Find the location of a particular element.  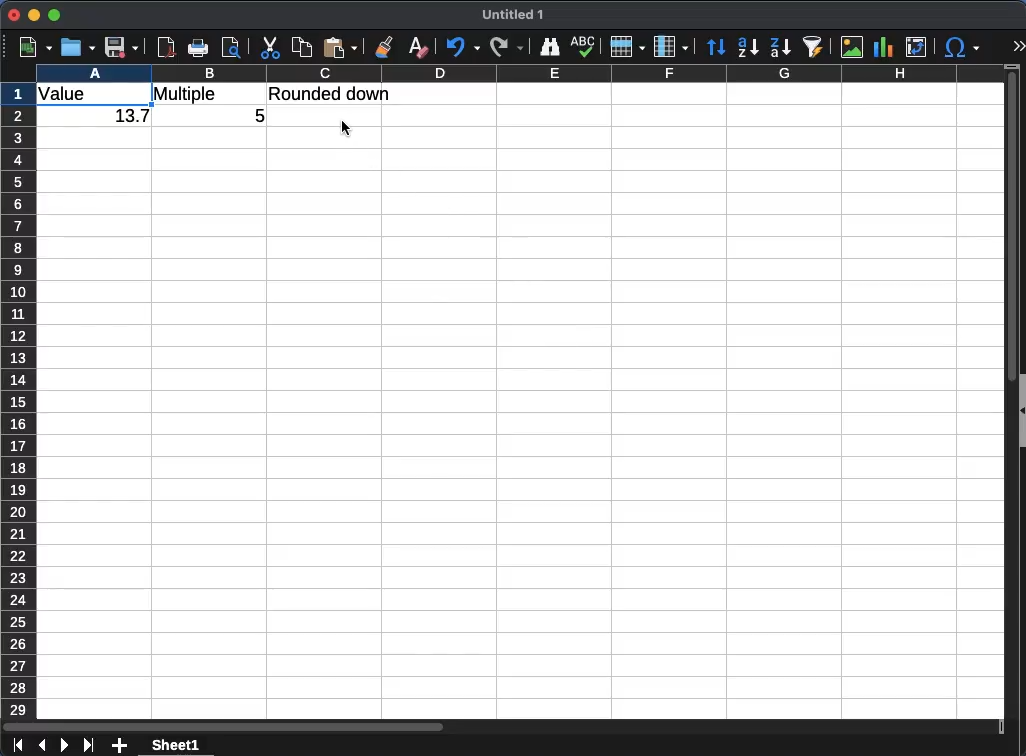

clear formatting is located at coordinates (421, 47).